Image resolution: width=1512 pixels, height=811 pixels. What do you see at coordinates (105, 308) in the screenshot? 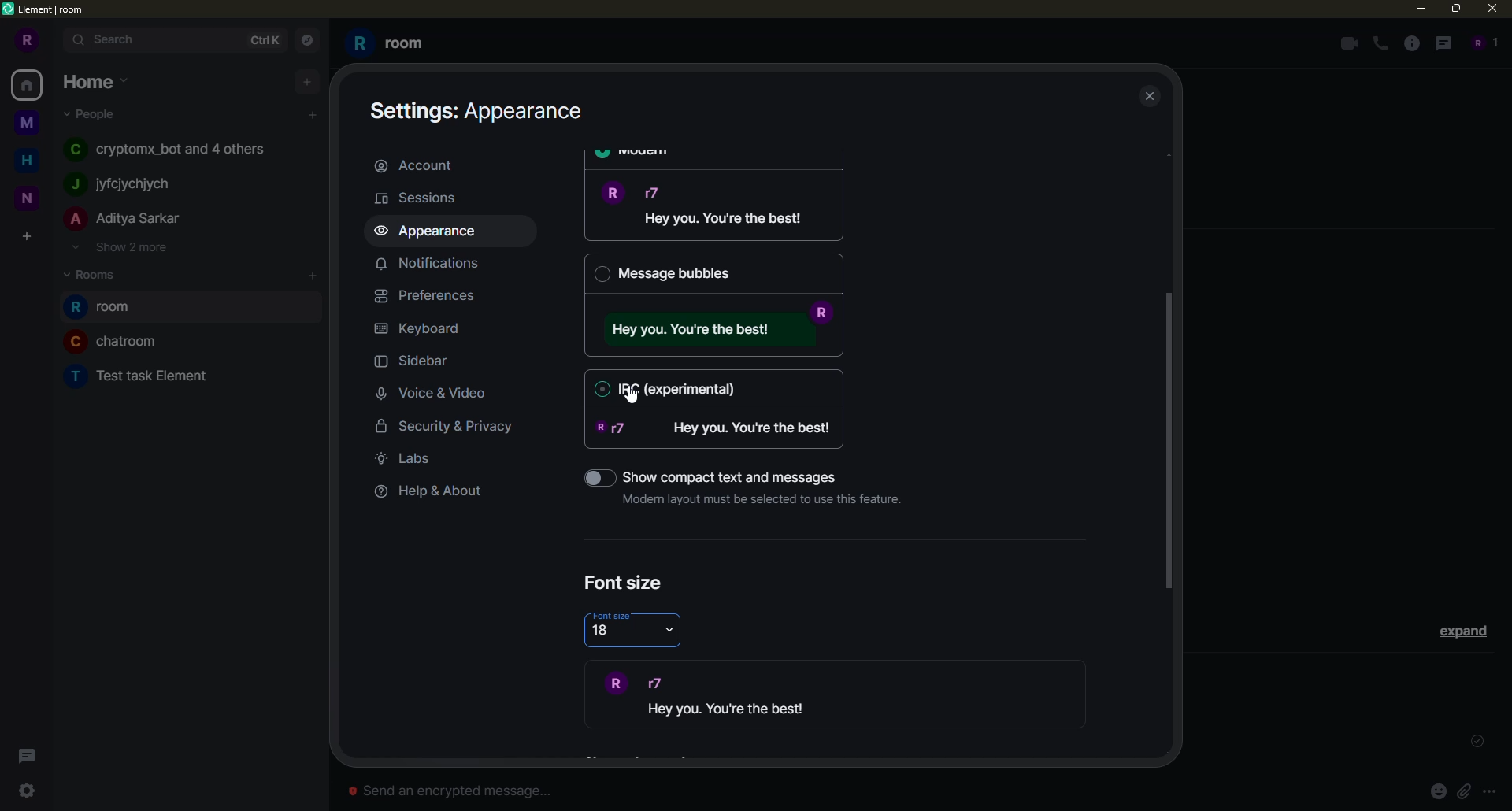
I see `room` at bounding box center [105, 308].